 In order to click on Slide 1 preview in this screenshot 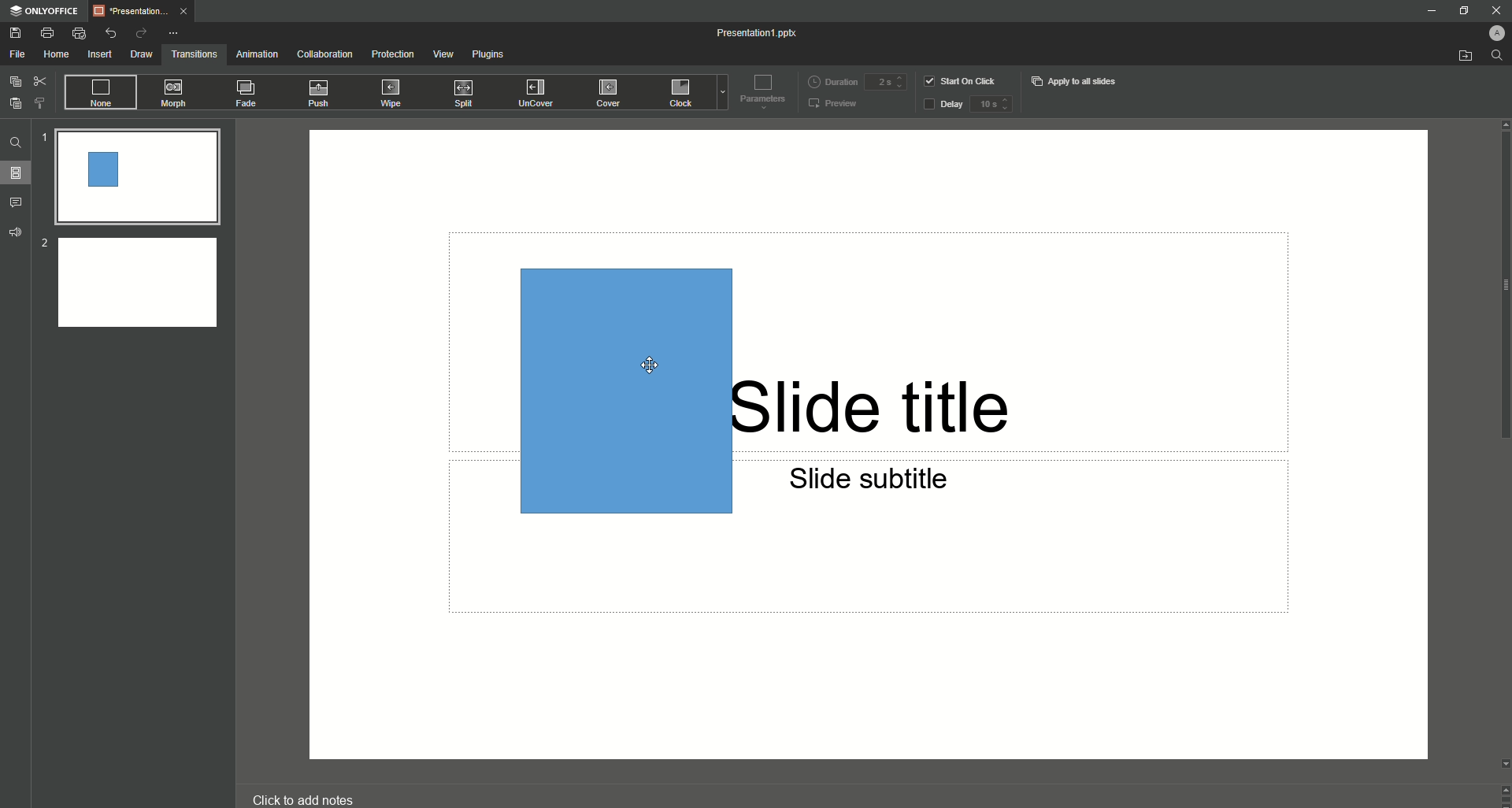, I will do `click(134, 179)`.